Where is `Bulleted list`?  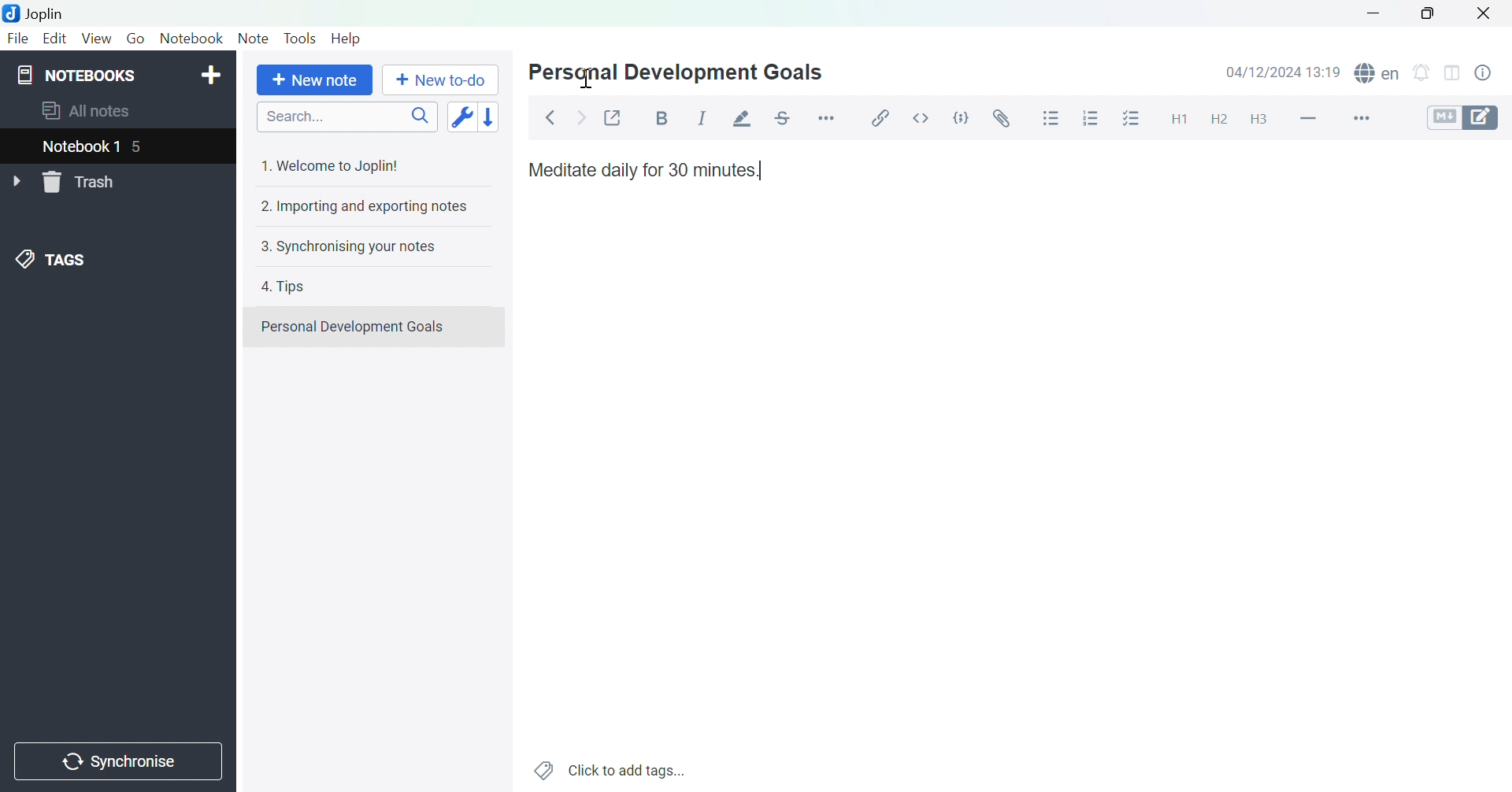 Bulleted list is located at coordinates (1052, 120).